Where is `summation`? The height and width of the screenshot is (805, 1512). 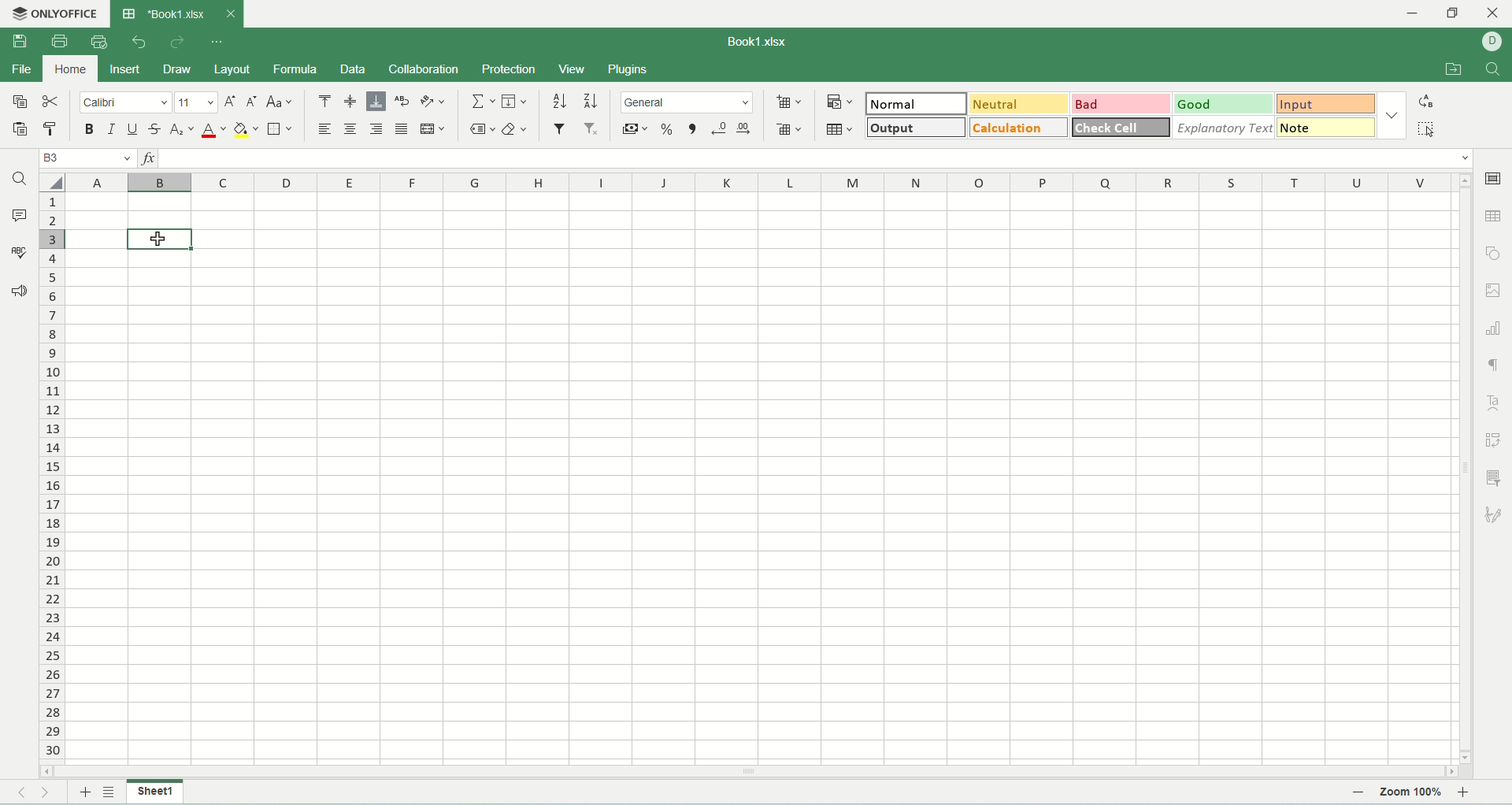
summation is located at coordinates (481, 101).